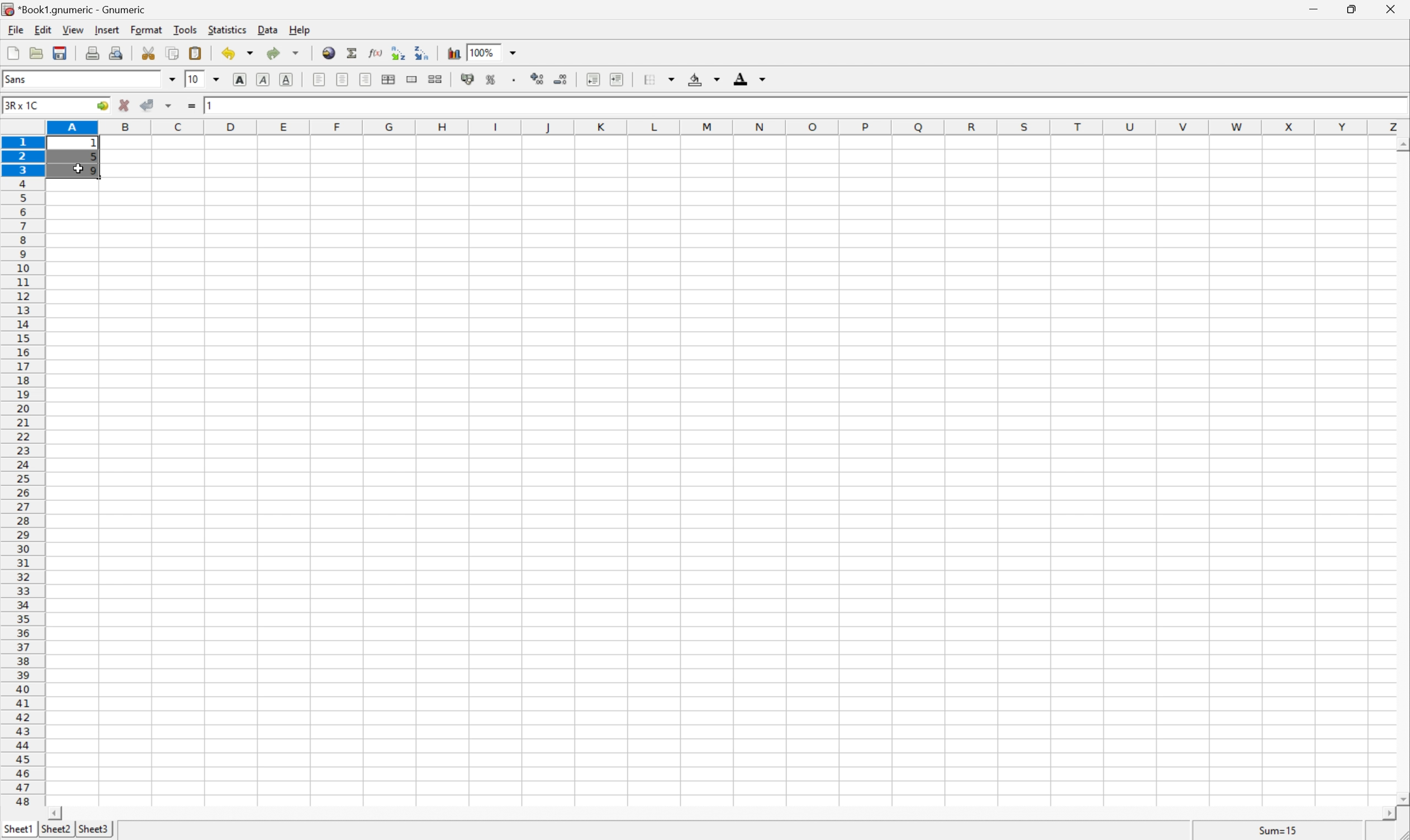  I want to click on row numbers, so click(22, 472).